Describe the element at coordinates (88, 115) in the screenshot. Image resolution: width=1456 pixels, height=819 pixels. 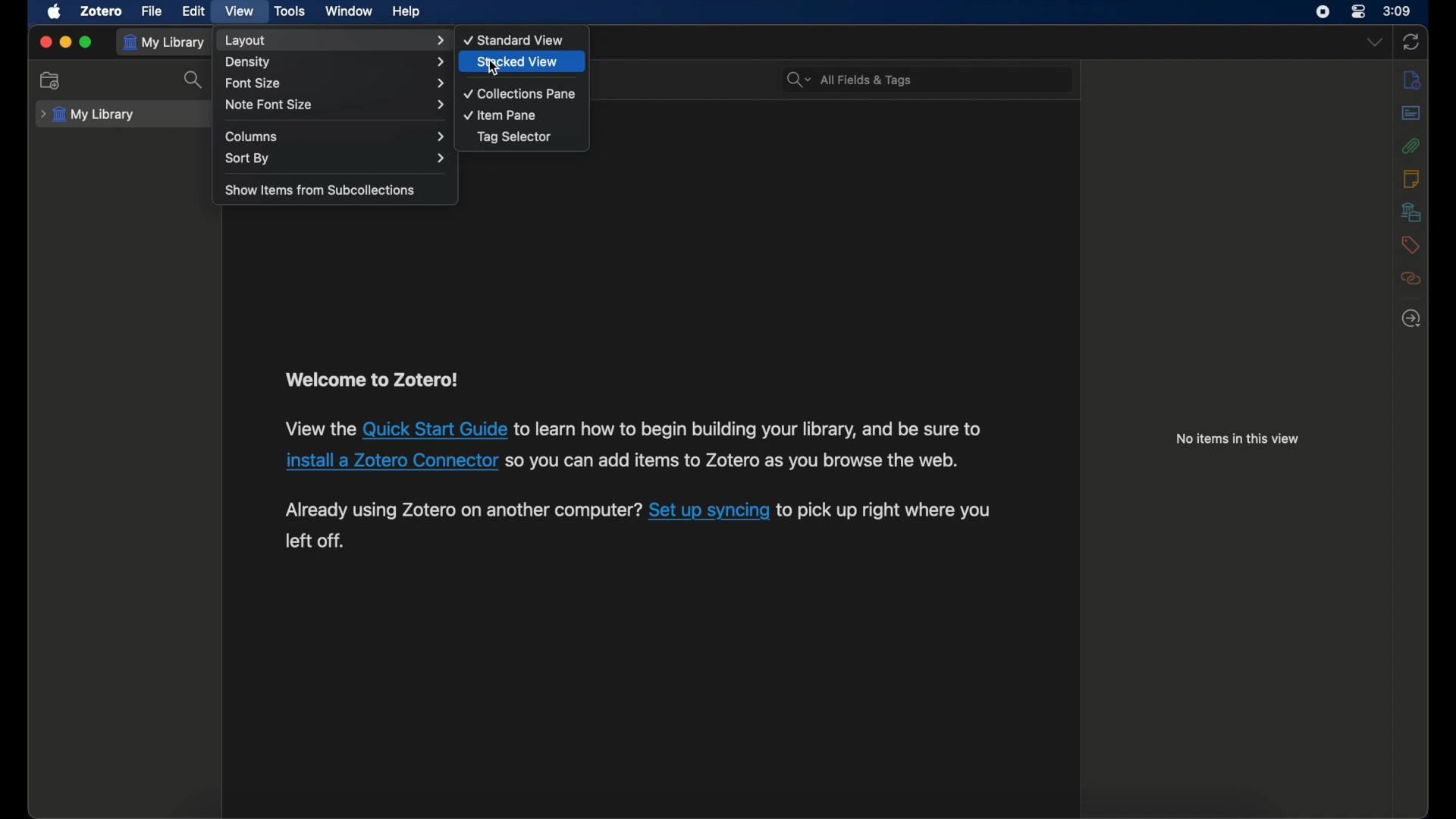
I see `my library` at that location.